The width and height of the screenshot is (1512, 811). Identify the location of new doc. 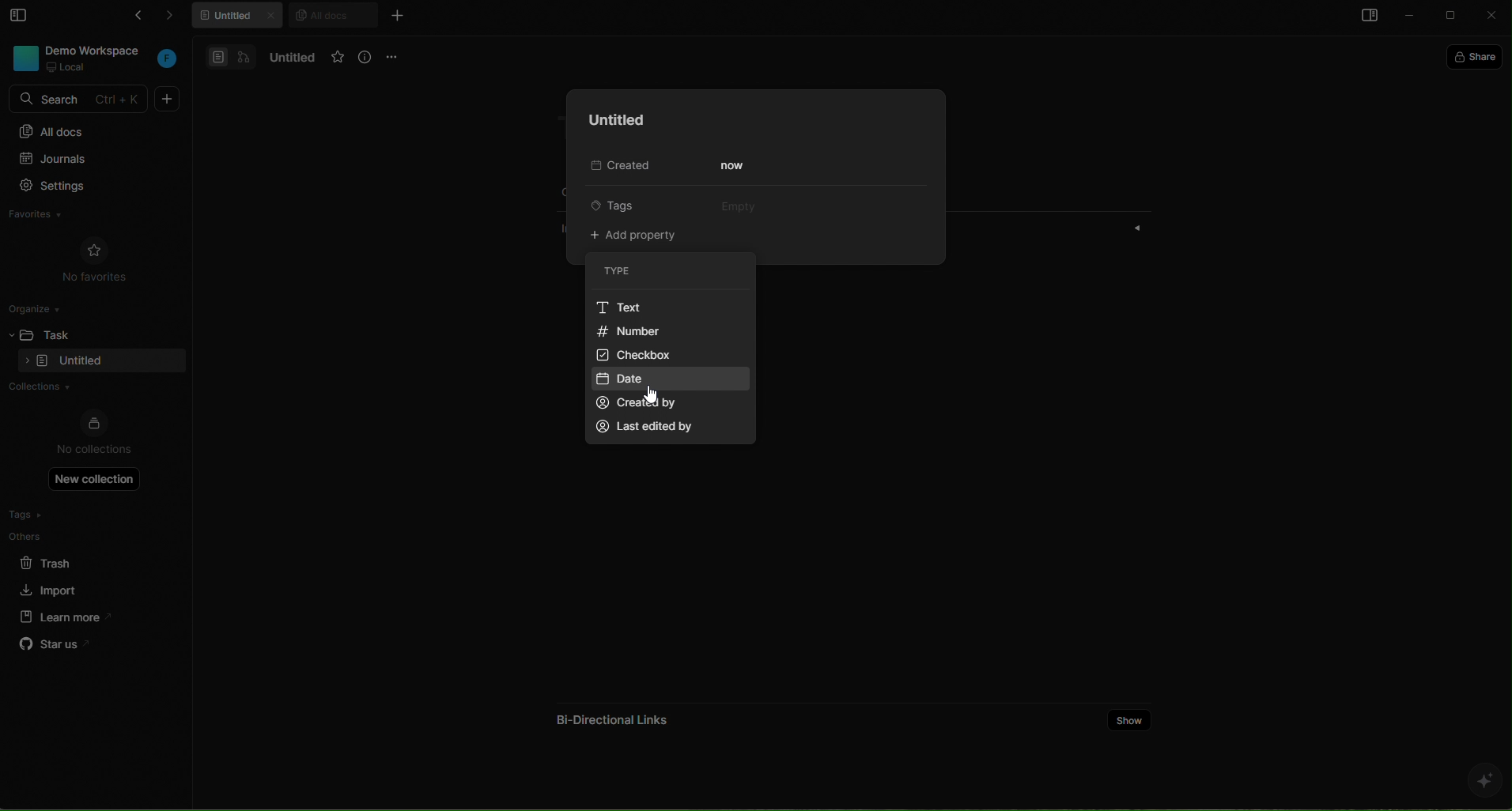
(168, 99).